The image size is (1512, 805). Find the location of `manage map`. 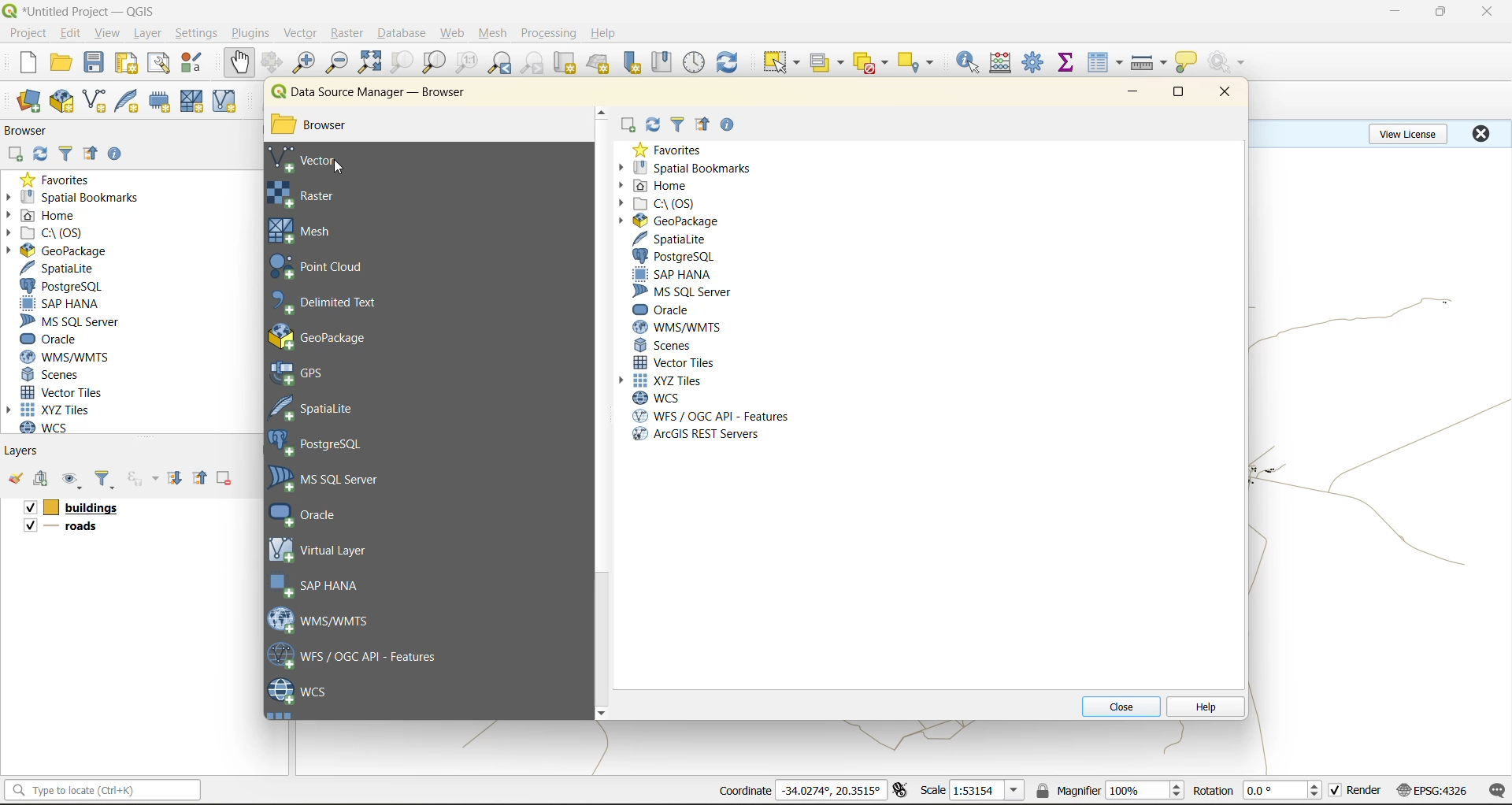

manage map is located at coordinates (74, 480).